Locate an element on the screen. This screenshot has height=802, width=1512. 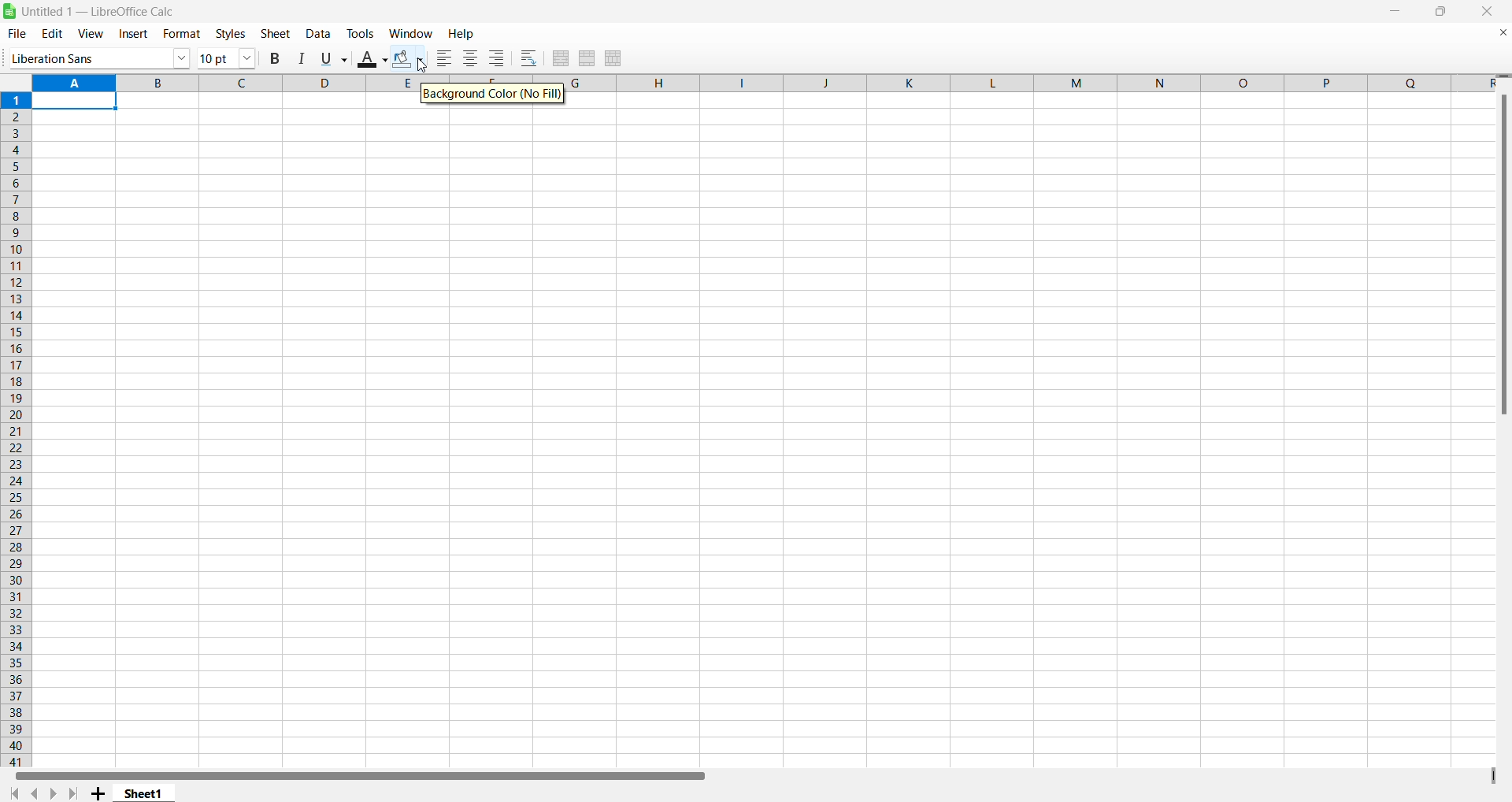
Untitled 1 - LibreOffice Calc is located at coordinates (108, 12).